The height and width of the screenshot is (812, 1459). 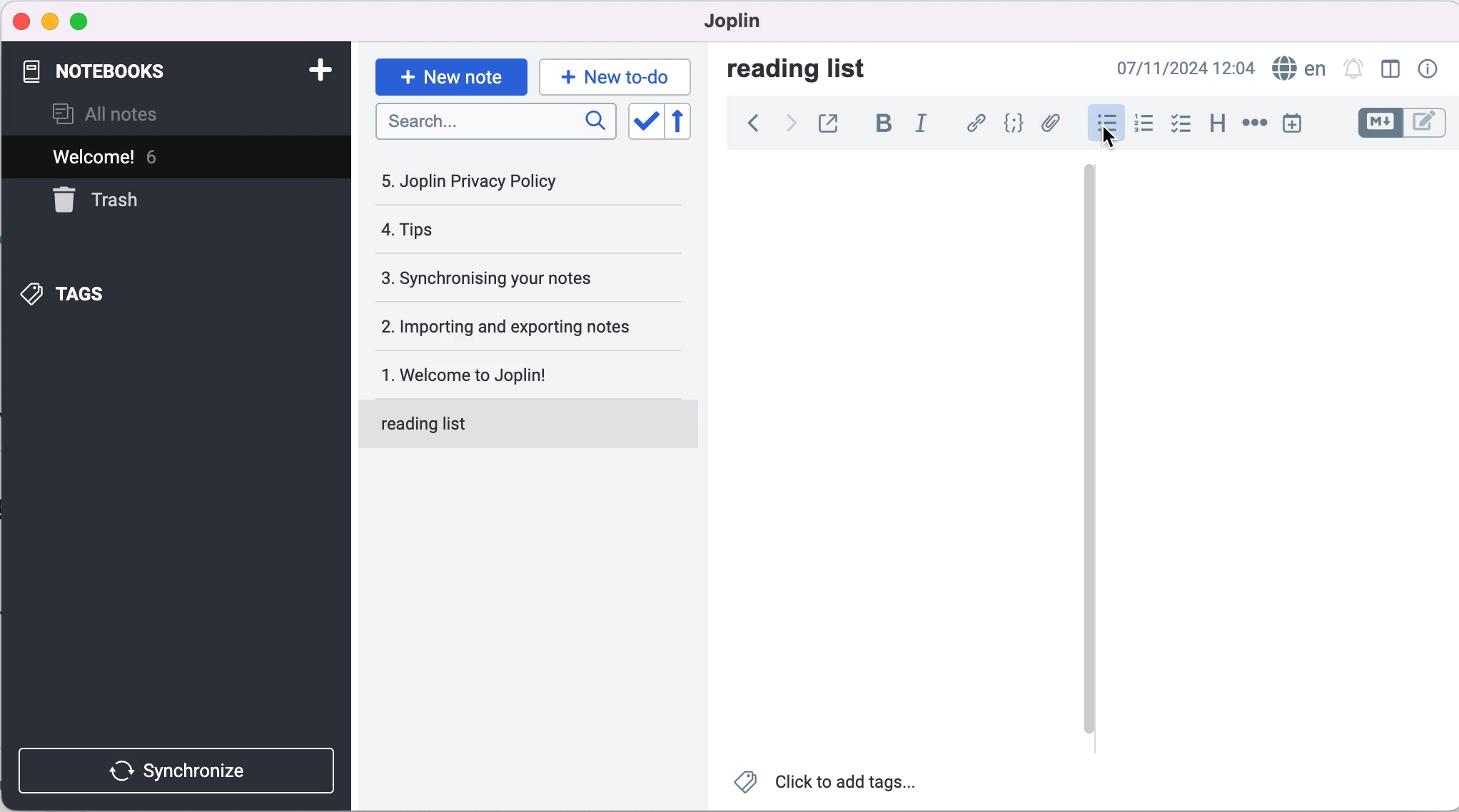 What do you see at coordinates (1052, 125) in the screenshot?
I see `attach file` at bounding box center [1052, 125].